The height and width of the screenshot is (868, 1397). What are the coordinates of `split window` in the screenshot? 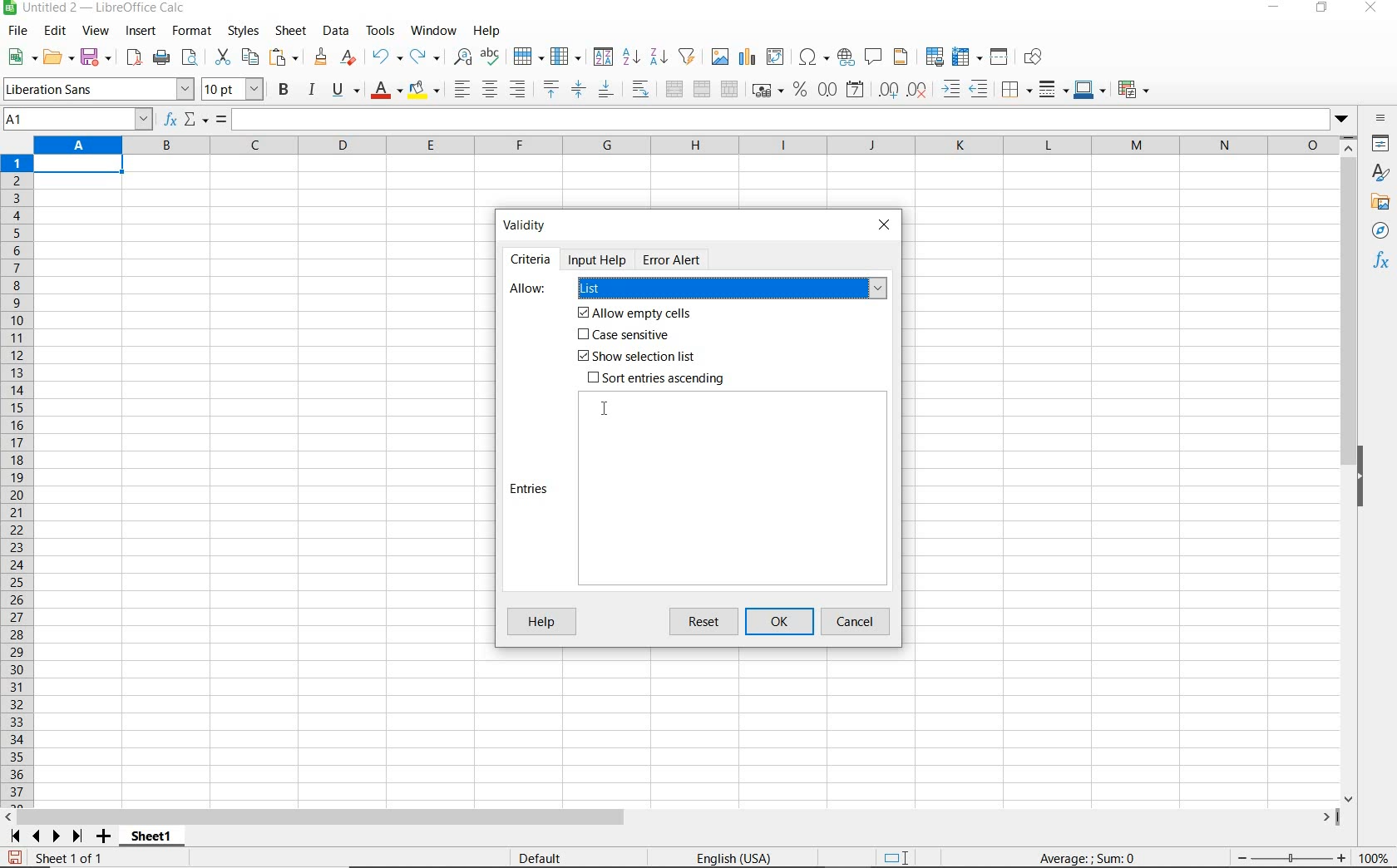 It's located at (1000, 57).